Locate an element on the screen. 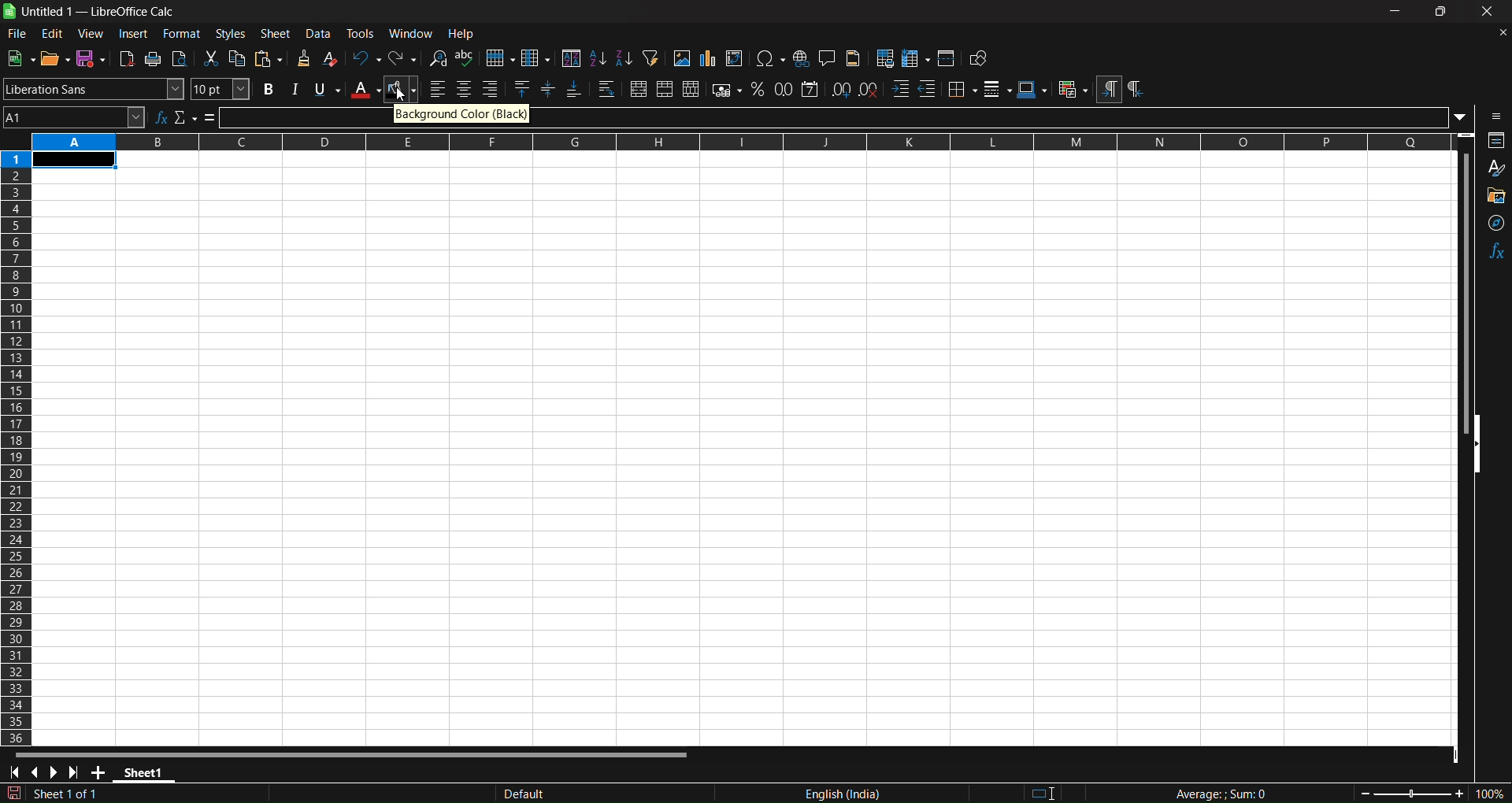 The width and height of the screenshot is (1512, 803). increase indent is located at coordinates (901, 89).